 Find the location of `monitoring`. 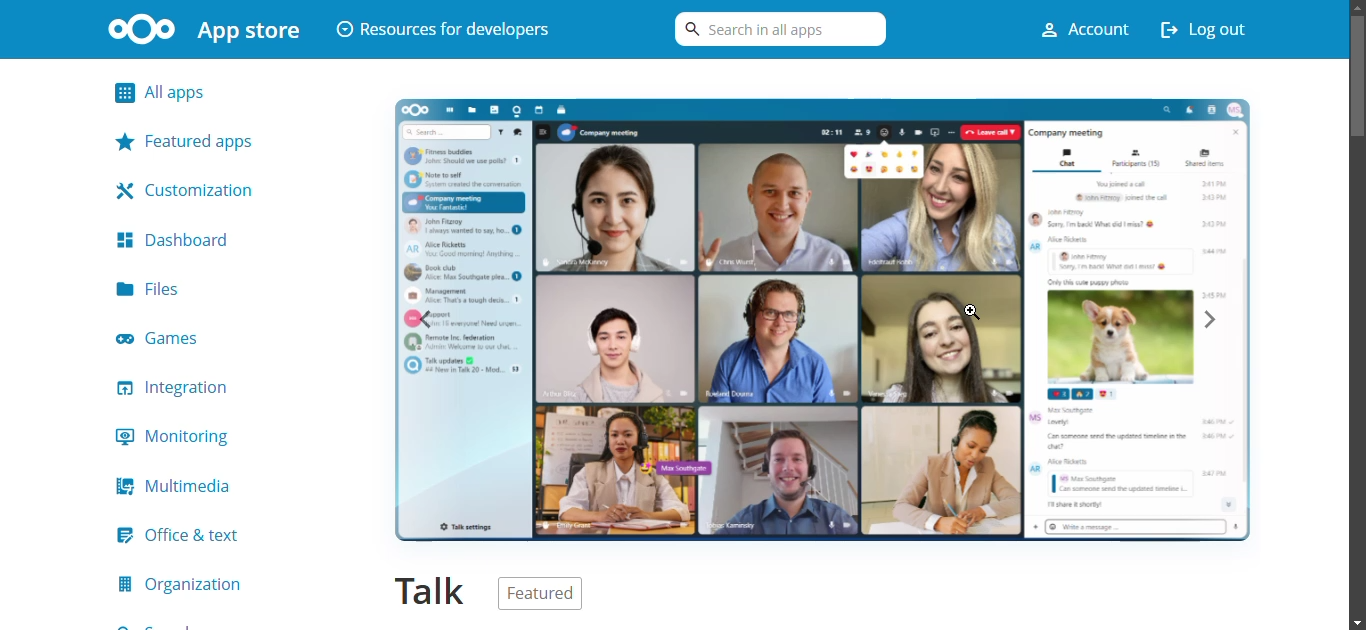

monitoring is located at coordinates (179, 438).